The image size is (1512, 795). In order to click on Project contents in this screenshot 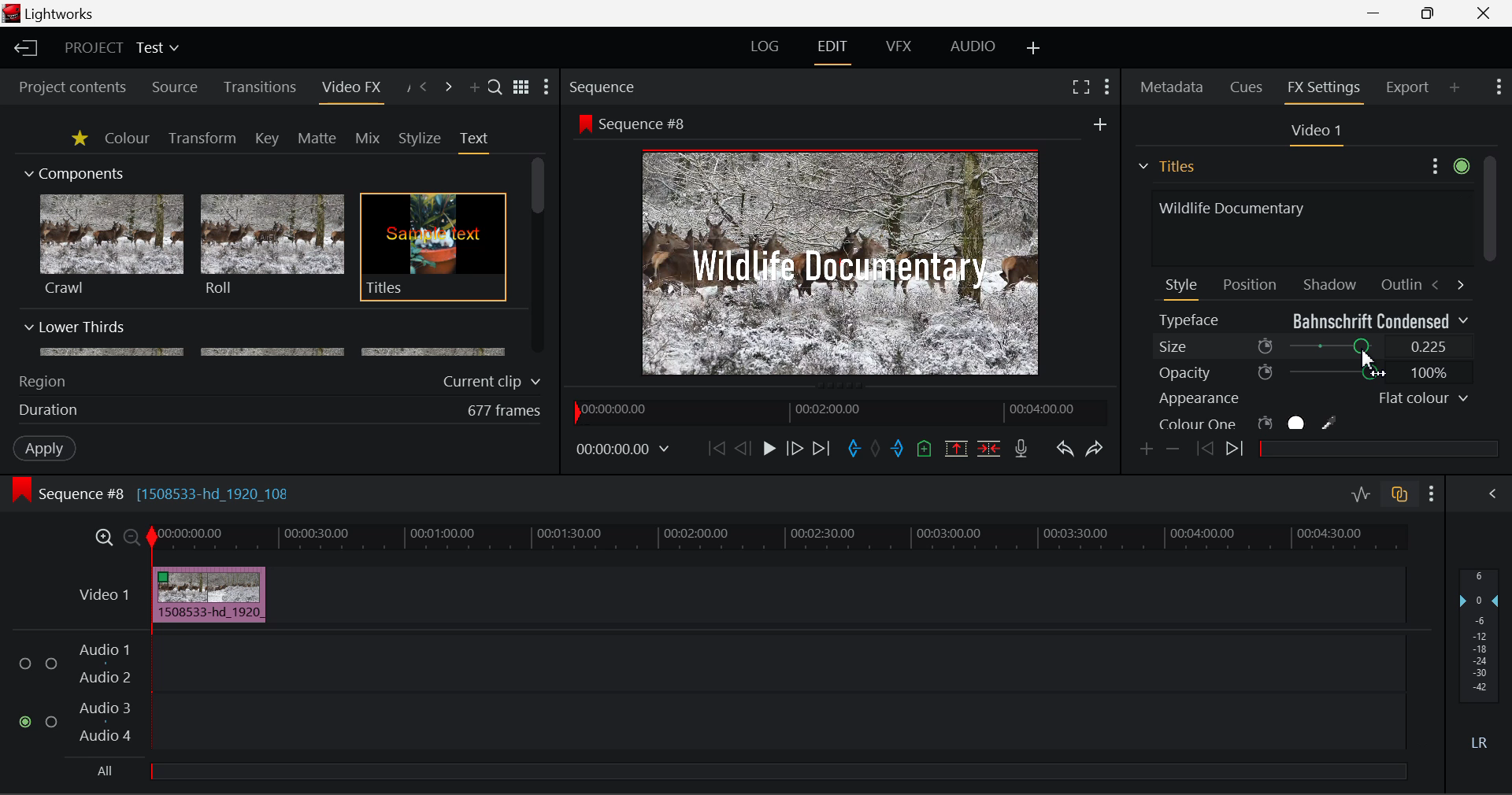, I will do `click(65, 87)`.